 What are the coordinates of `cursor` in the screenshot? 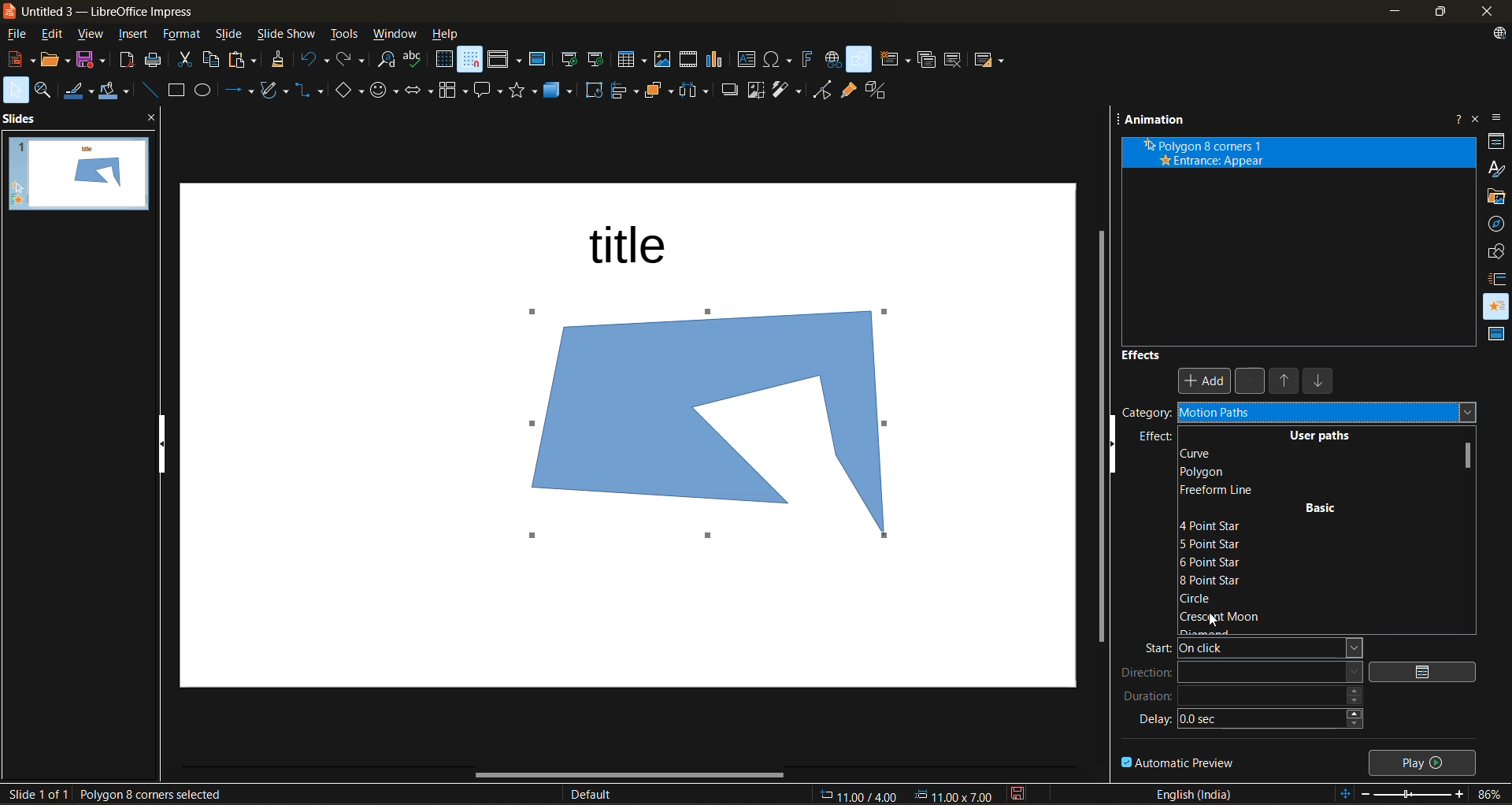 It's located at (1213, 621).